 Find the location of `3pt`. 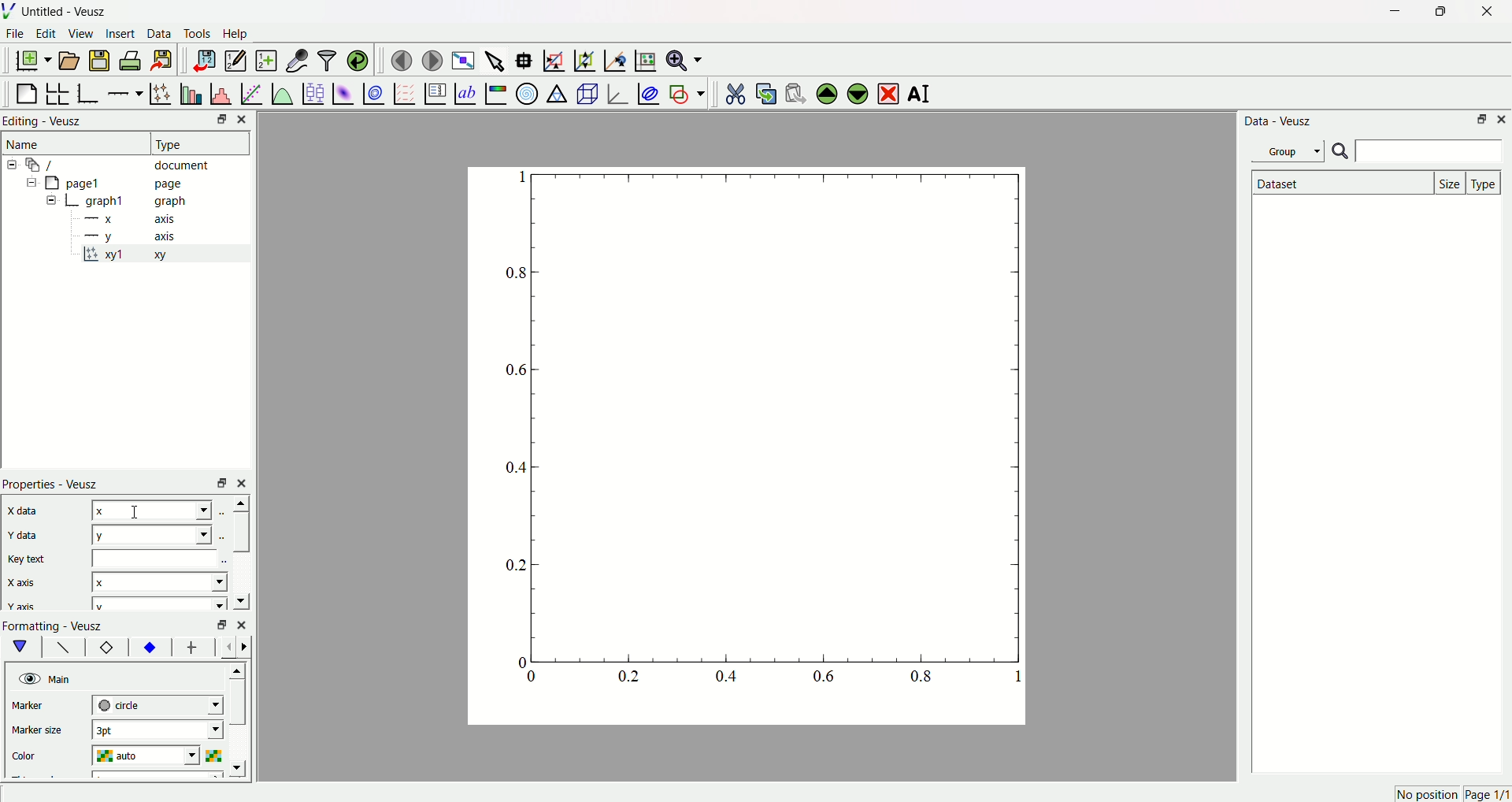

3pt is located at coordinates (157, 730).